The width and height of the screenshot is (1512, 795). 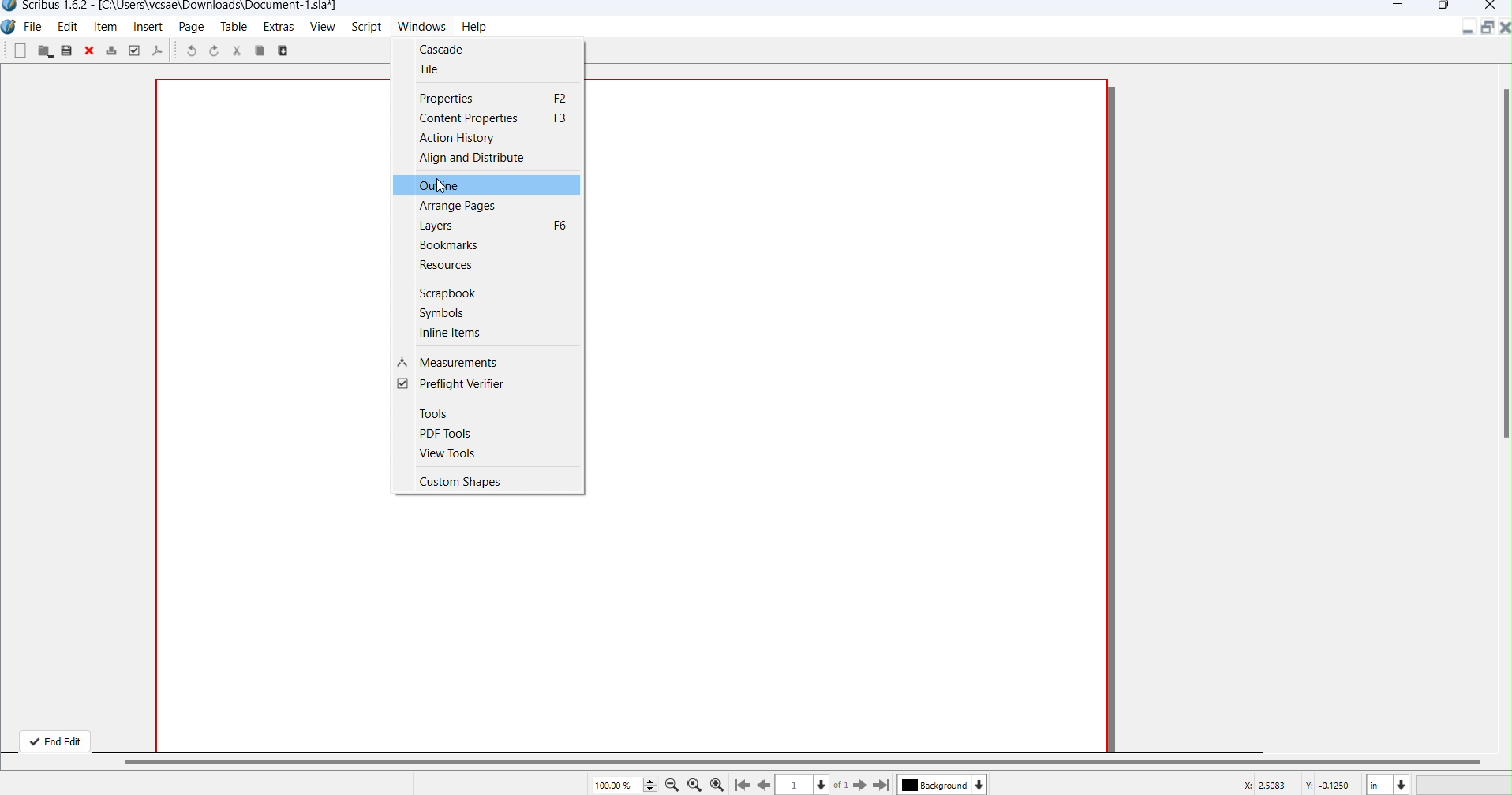 I want to click on Content Properties, so click(x=493, y=118).